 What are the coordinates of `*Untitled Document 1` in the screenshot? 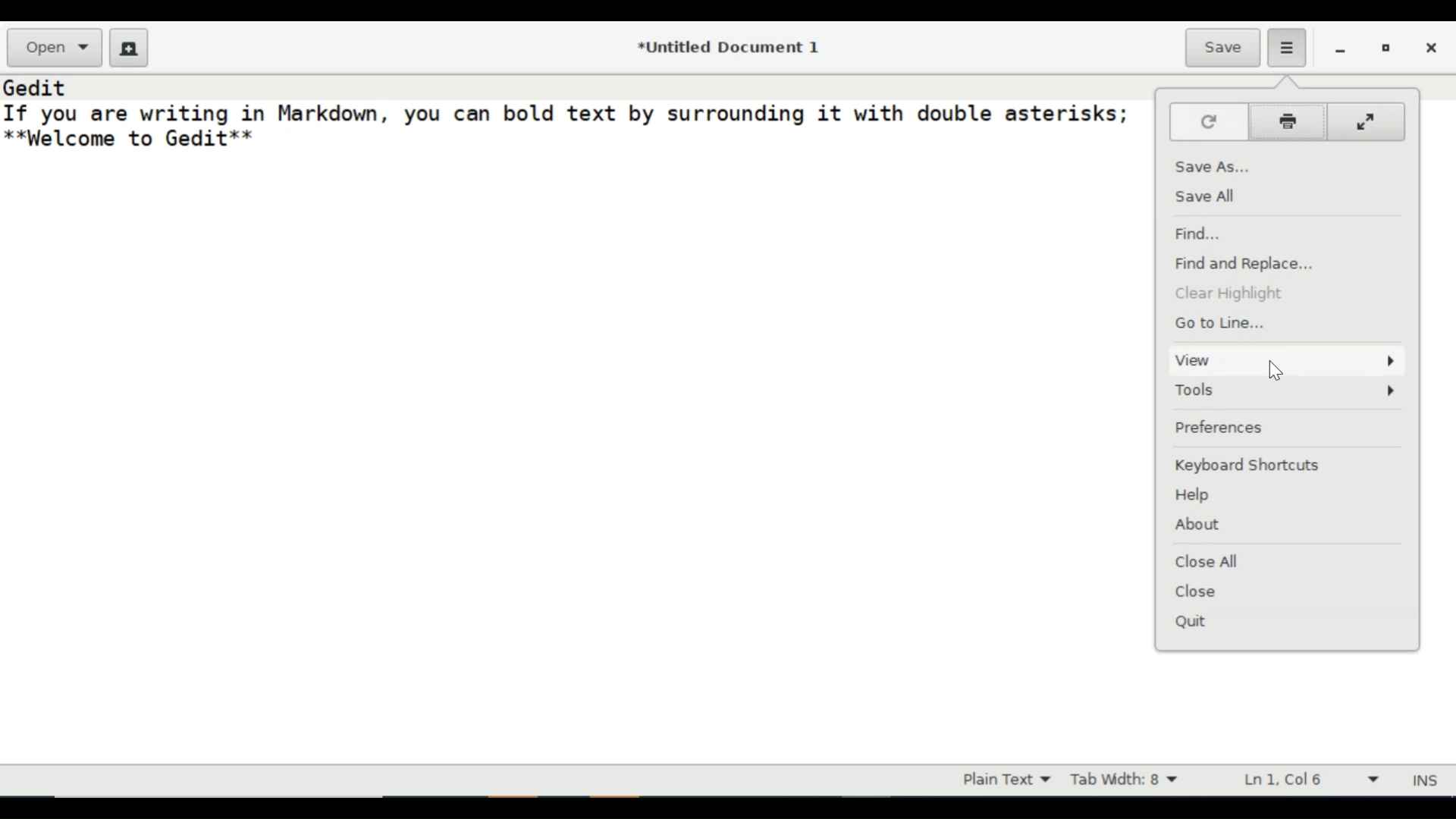 It's located at (730, 47).